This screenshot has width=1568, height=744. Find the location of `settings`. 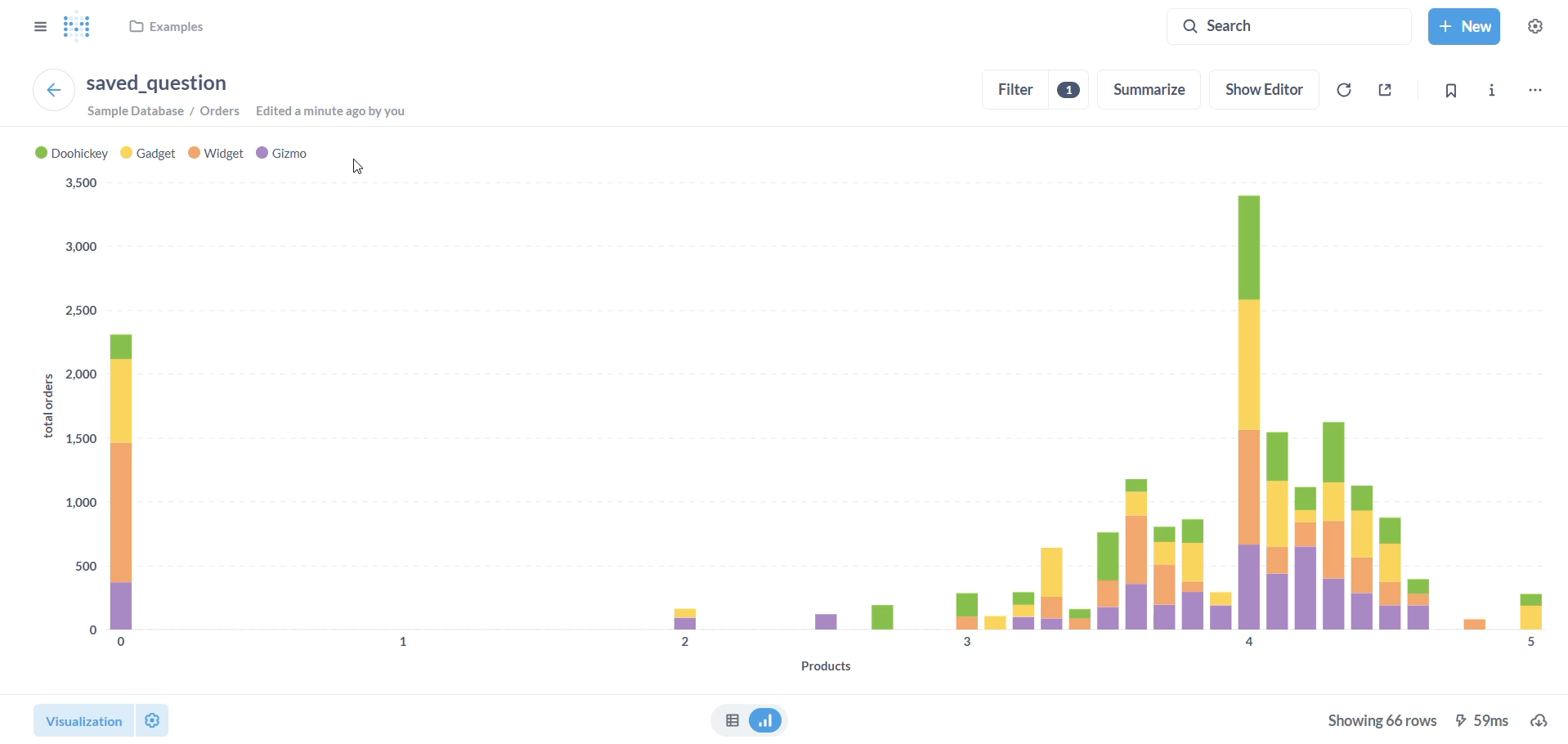

settings is located at coordinates (1543, 23).